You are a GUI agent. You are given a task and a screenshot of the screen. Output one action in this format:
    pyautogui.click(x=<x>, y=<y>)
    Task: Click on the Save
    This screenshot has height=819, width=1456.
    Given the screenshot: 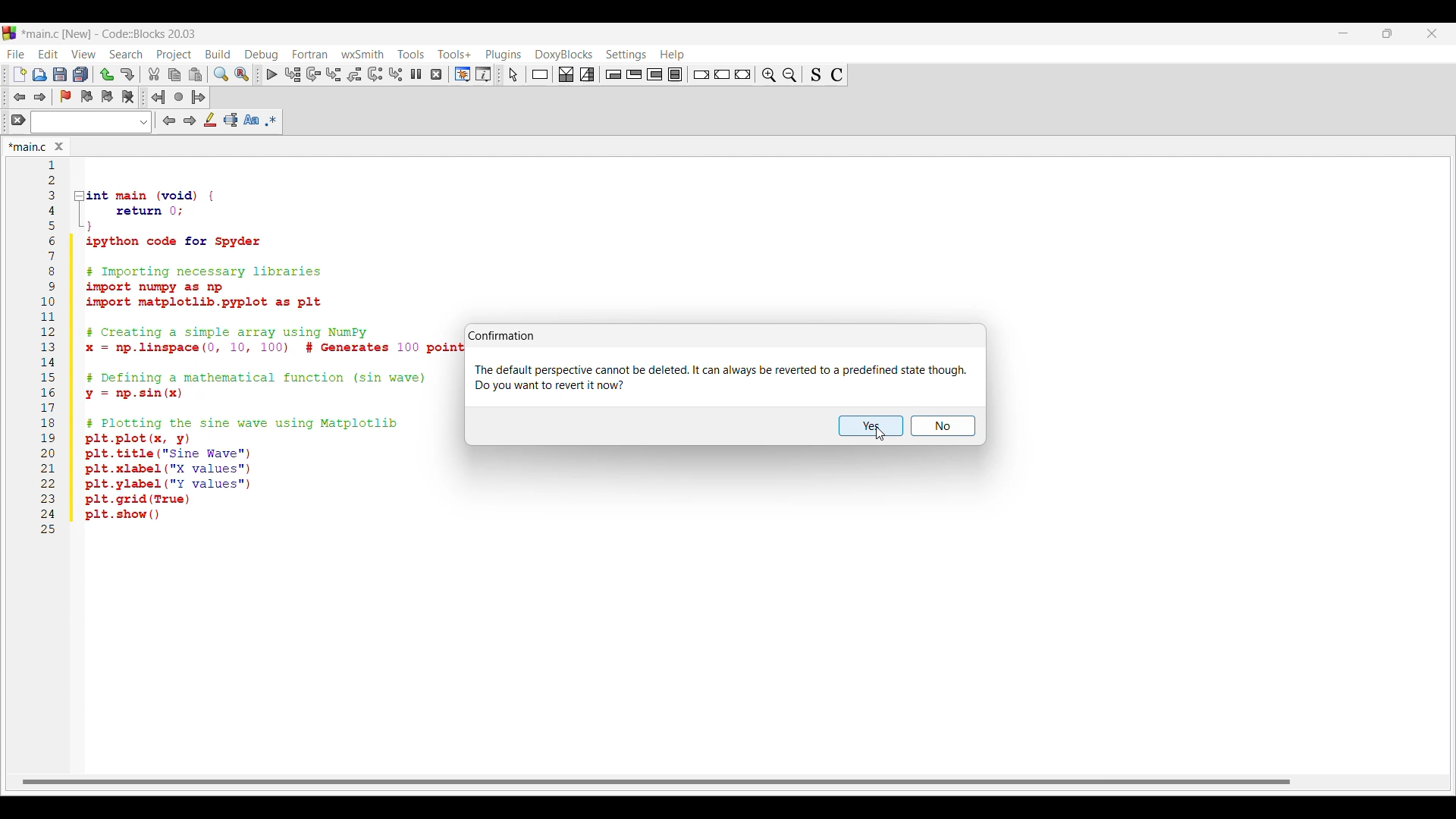 What is the action you would take?
    pyautogui.click(x=60, y=74)
    